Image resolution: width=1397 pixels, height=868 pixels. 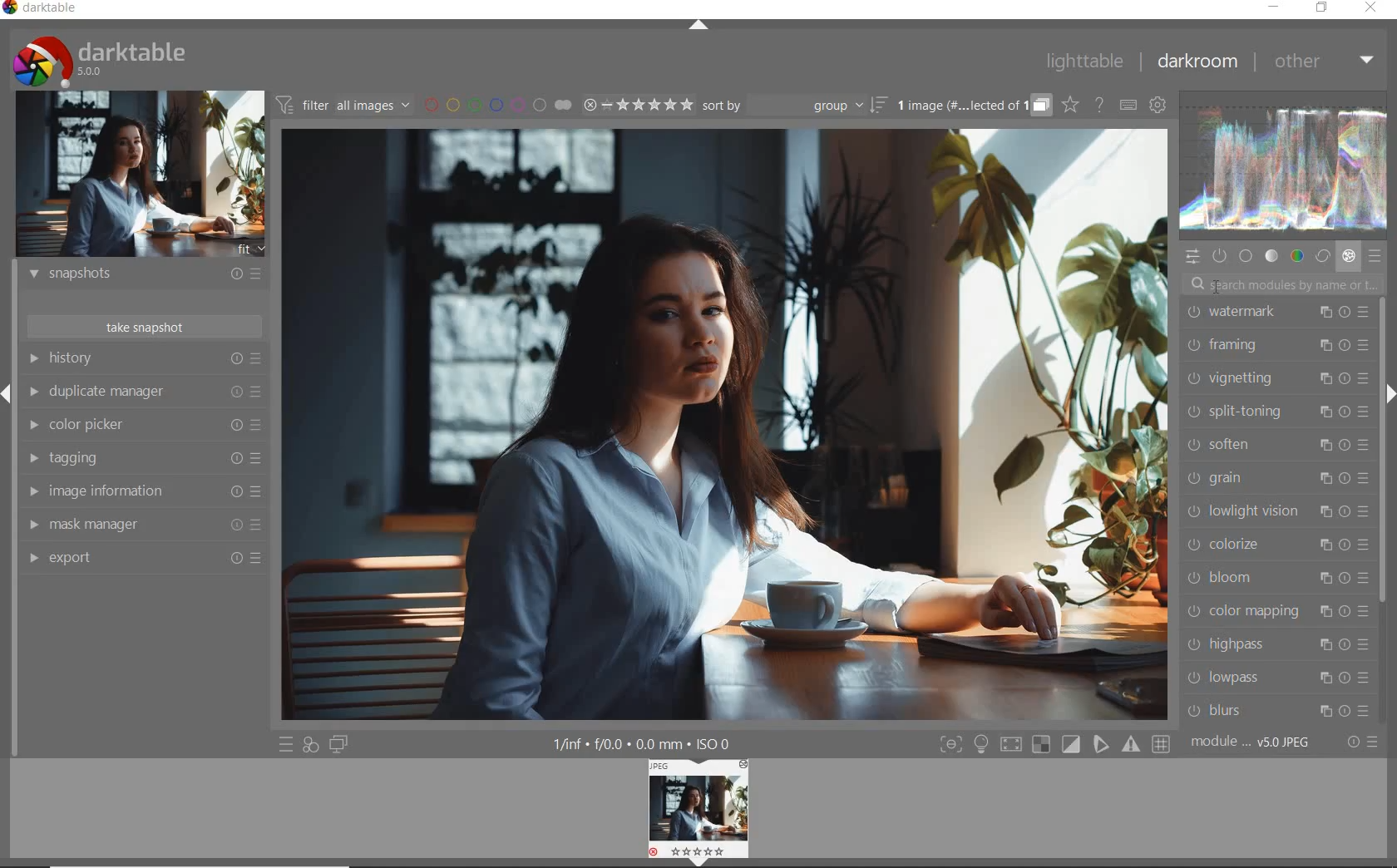 I want to click on lighttable, so click(x=1084, y=62).